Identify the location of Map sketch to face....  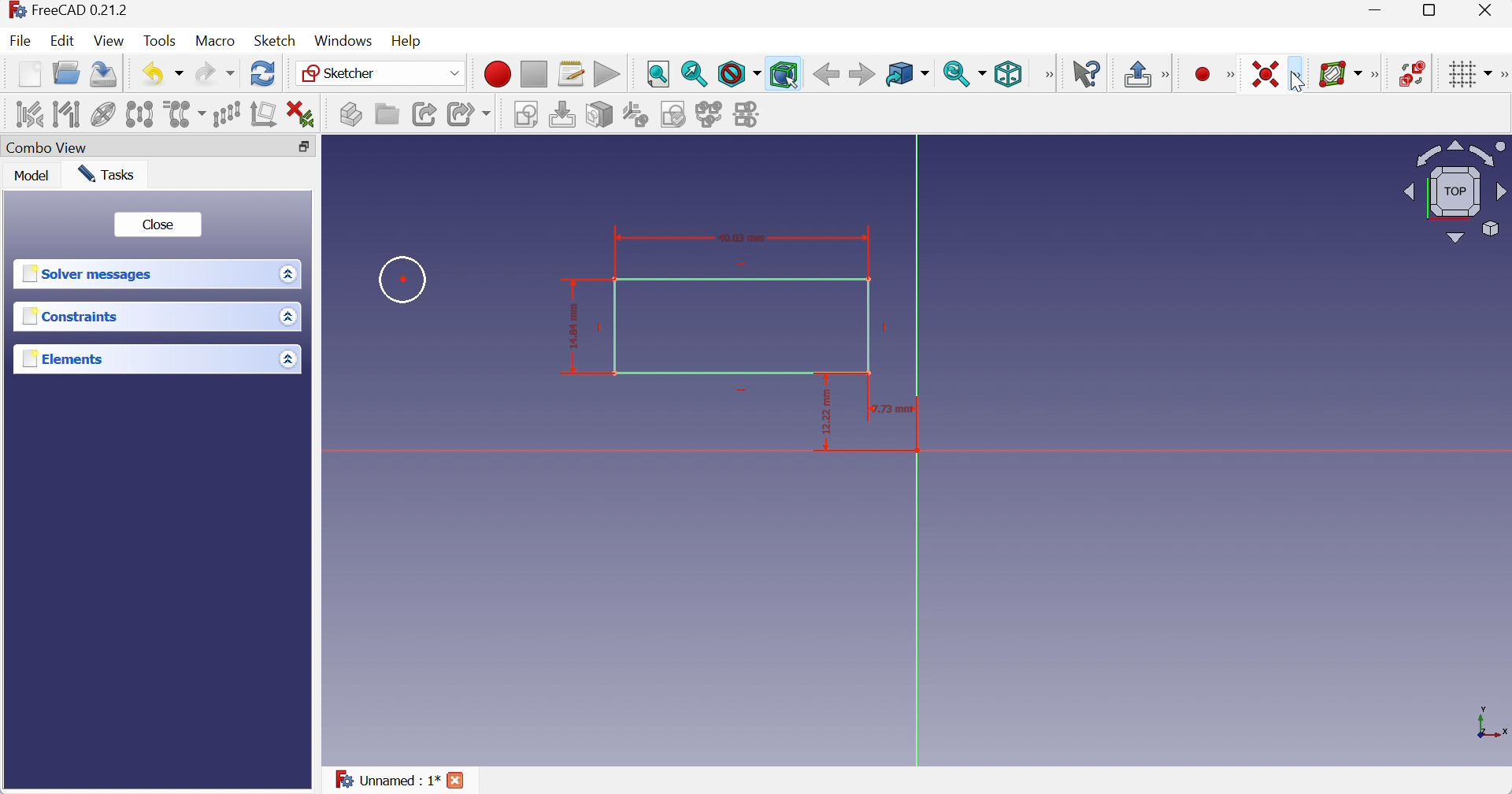
(599, 116).